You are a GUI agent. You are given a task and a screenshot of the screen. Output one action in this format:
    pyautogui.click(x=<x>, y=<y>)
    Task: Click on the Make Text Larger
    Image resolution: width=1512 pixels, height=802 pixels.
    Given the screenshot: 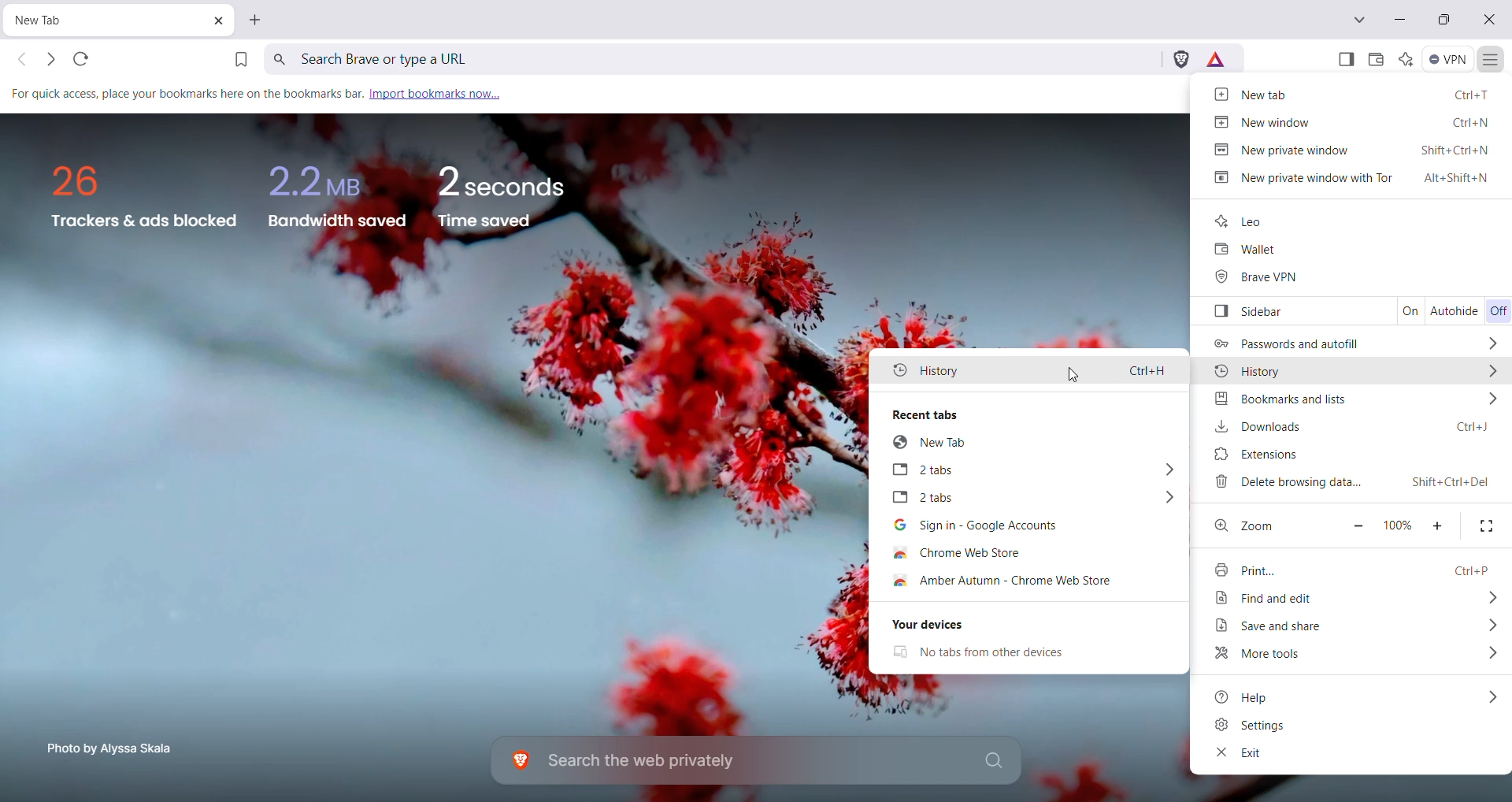 What is the action you would take?
    pyautogui.click(x=1439, y=525)
    